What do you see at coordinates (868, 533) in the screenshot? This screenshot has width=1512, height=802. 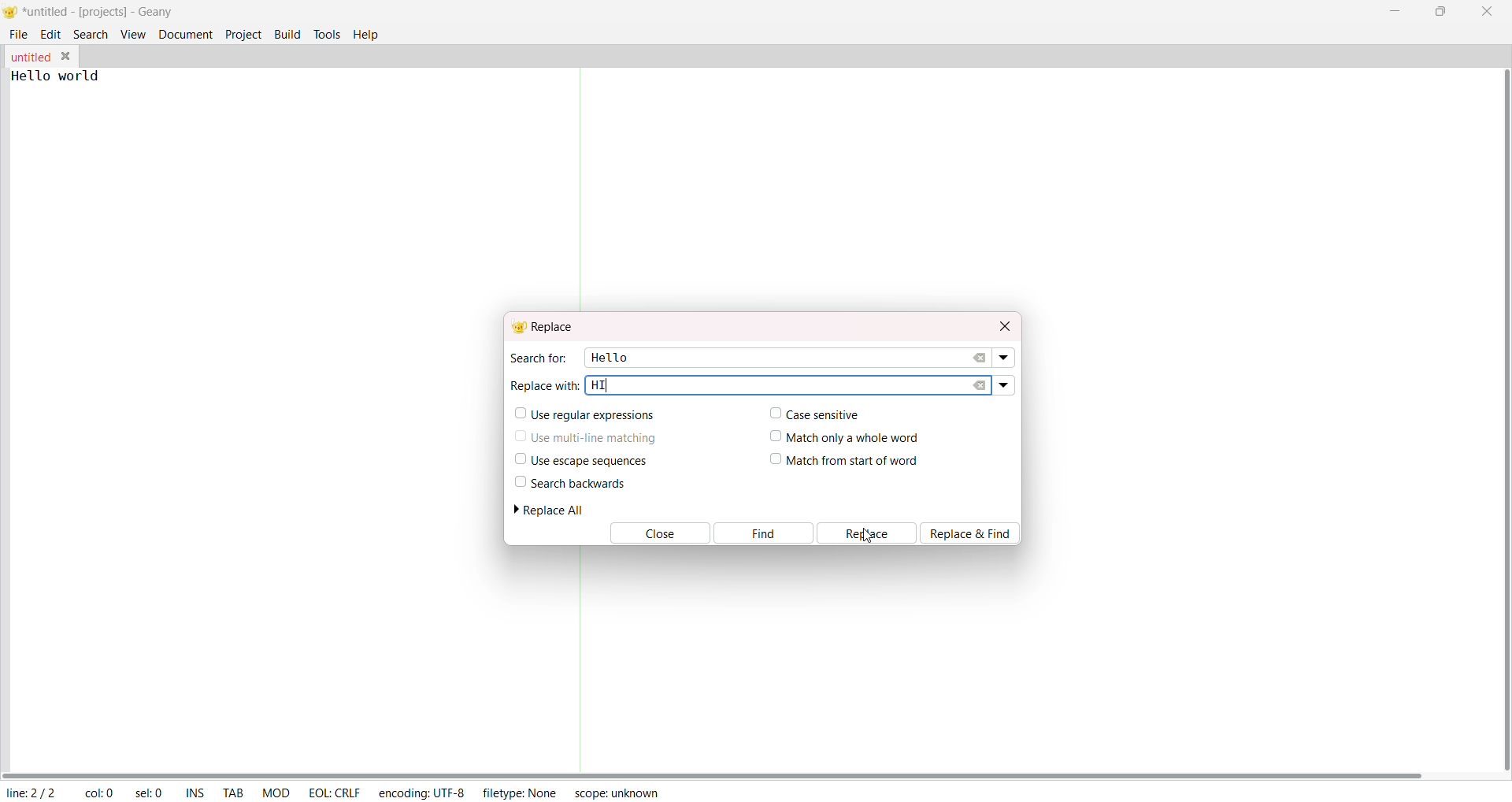 I see `replace` at bounding box center [868, 533].